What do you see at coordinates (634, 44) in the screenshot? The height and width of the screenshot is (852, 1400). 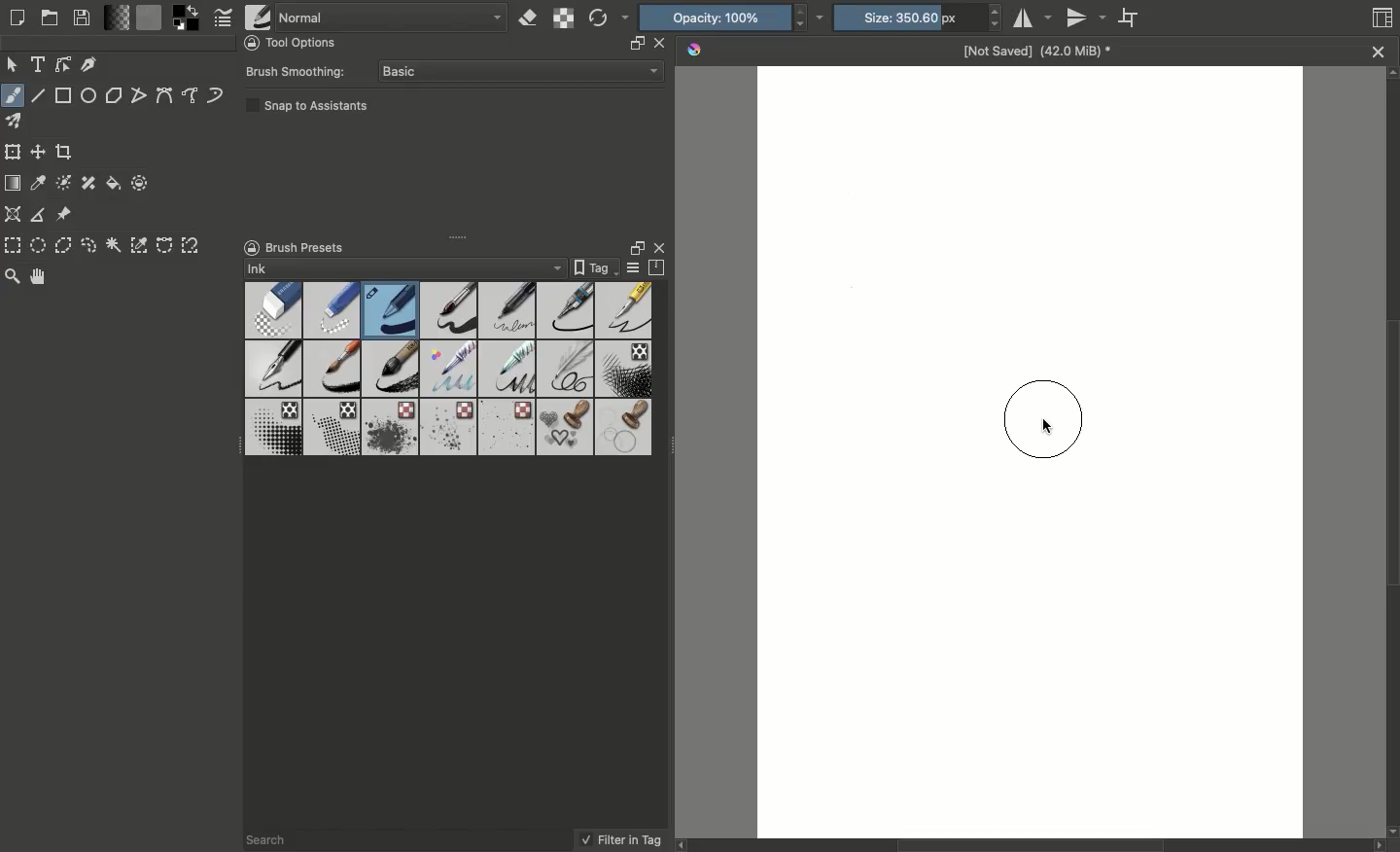 I see `resize` at bounding box center [634, 44].